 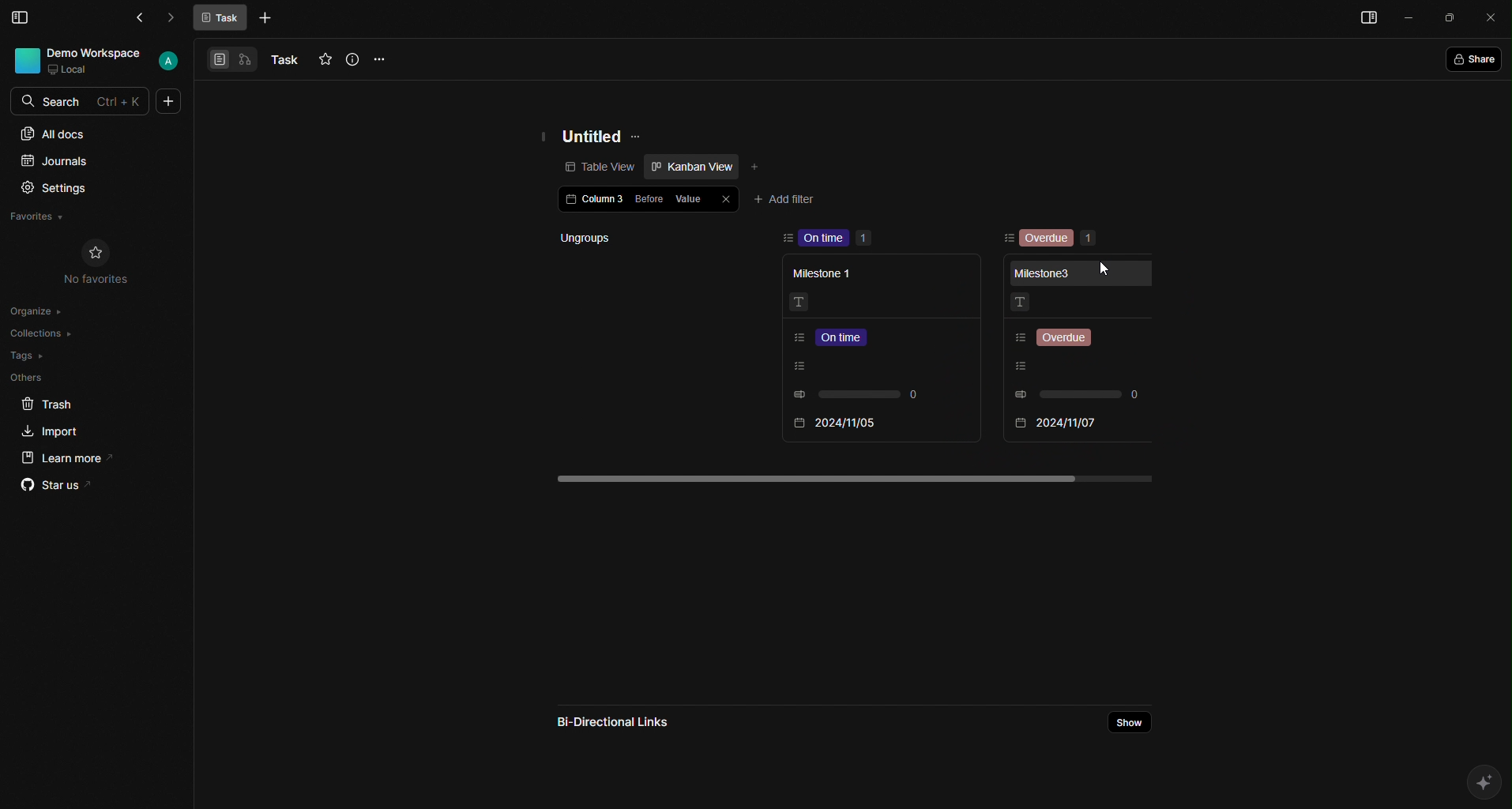 I want to click on Value, so click(x=689, y=196).